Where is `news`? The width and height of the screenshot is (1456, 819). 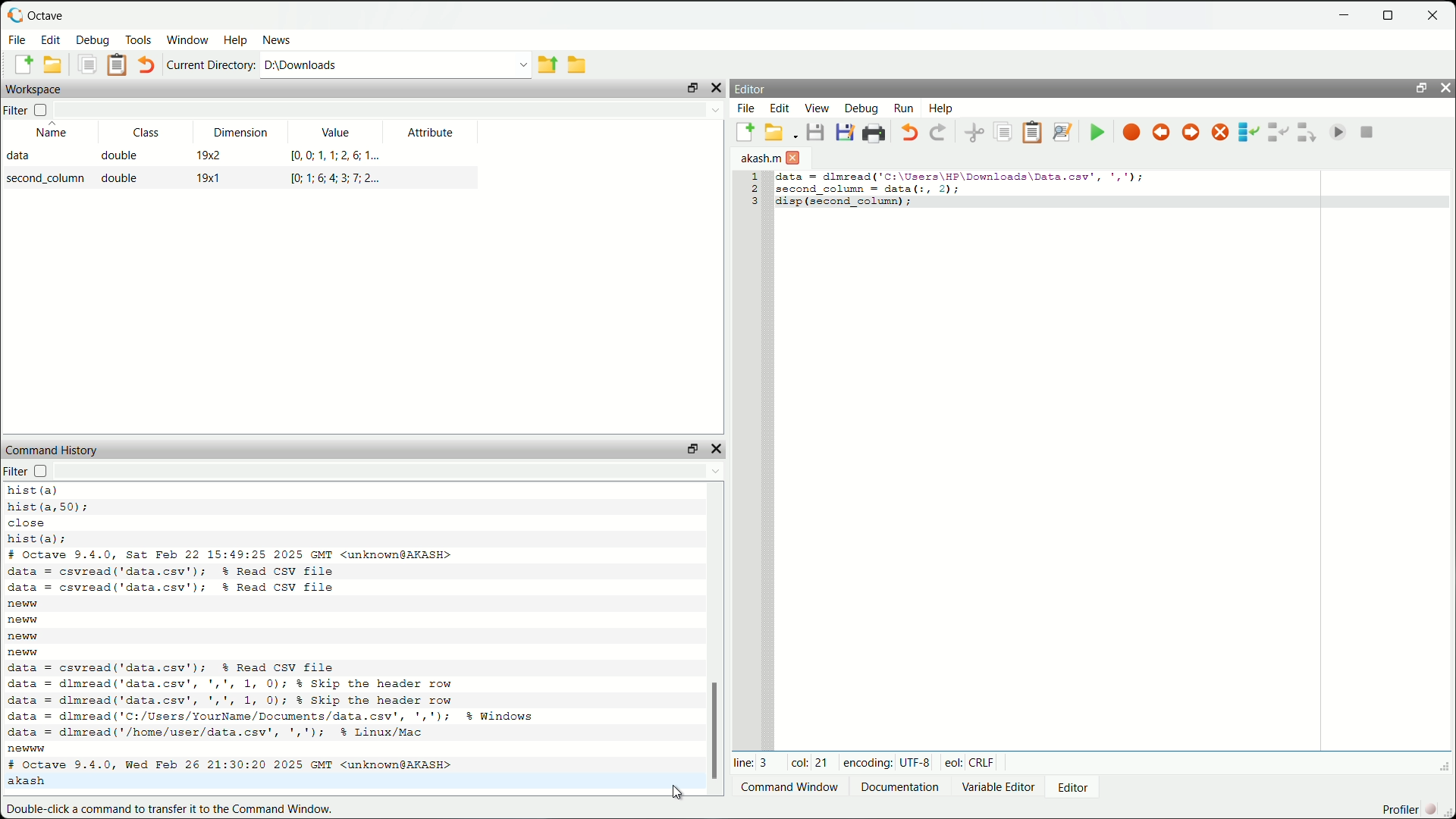 news is located at coordinates (279, 39).